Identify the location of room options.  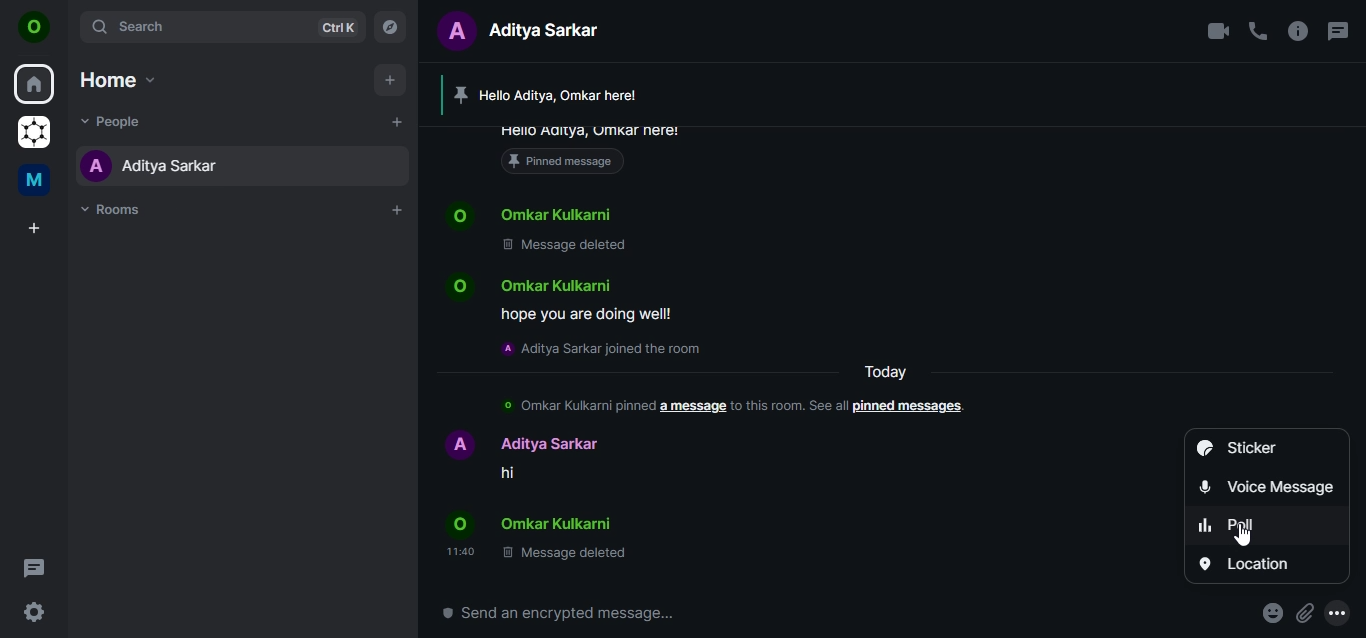
(1299, 33).